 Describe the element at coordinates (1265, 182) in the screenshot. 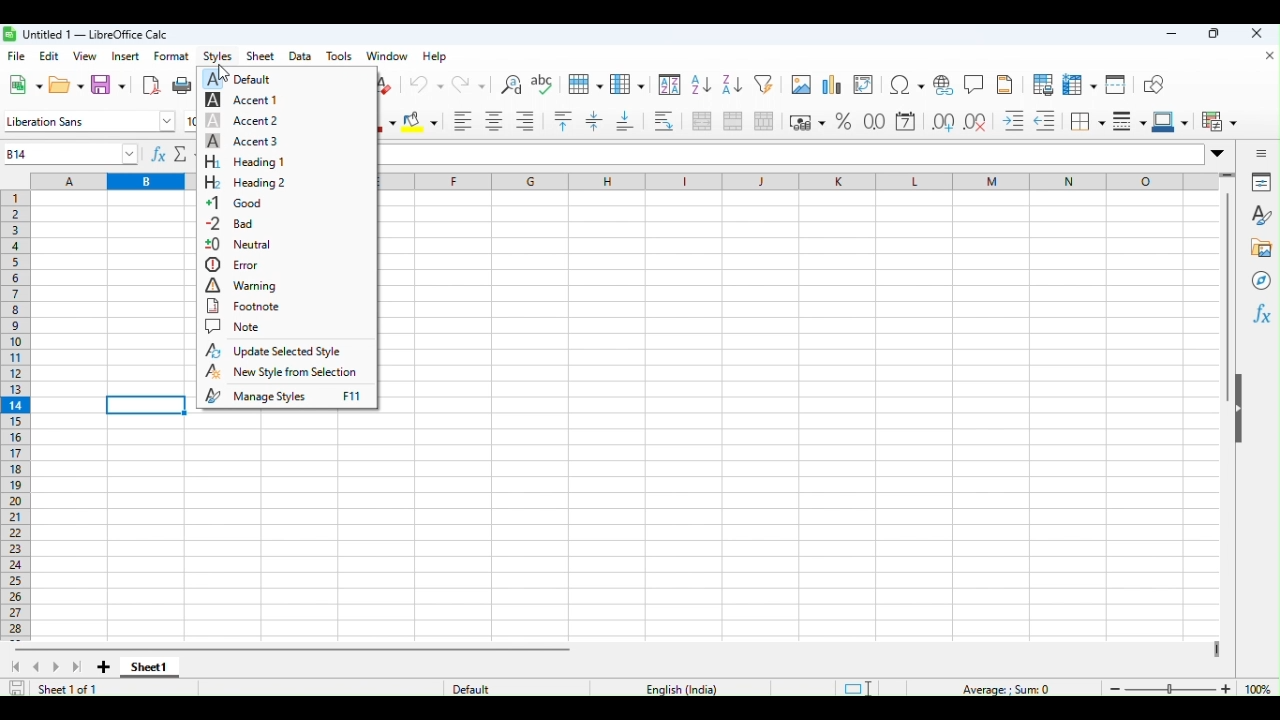

I see `Properties` at that location.